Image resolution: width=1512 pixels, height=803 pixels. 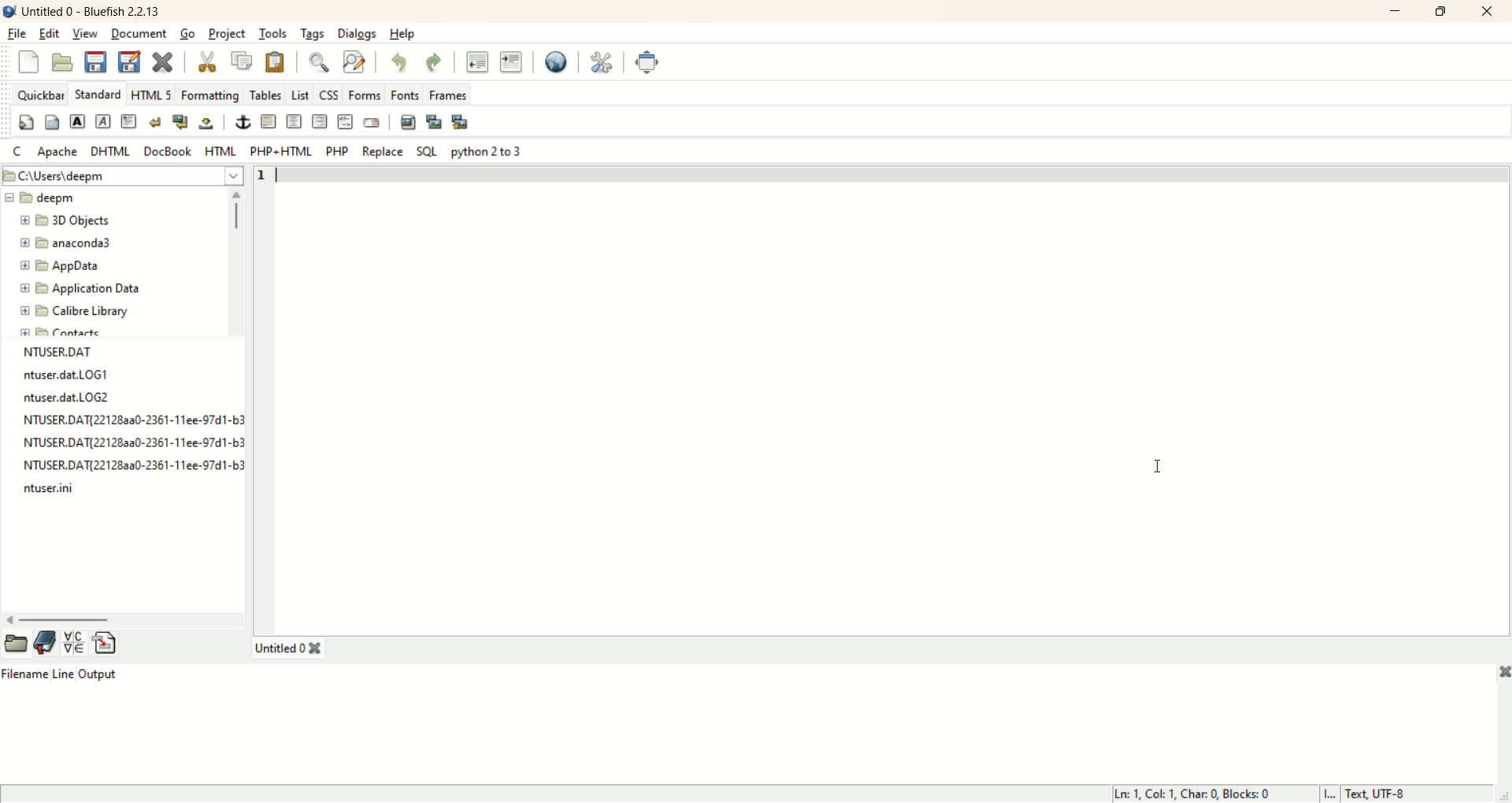 What do you see at coordinates (74, 643) in the screenshot?
I see `insert special character` at bounding box center [74, 643].